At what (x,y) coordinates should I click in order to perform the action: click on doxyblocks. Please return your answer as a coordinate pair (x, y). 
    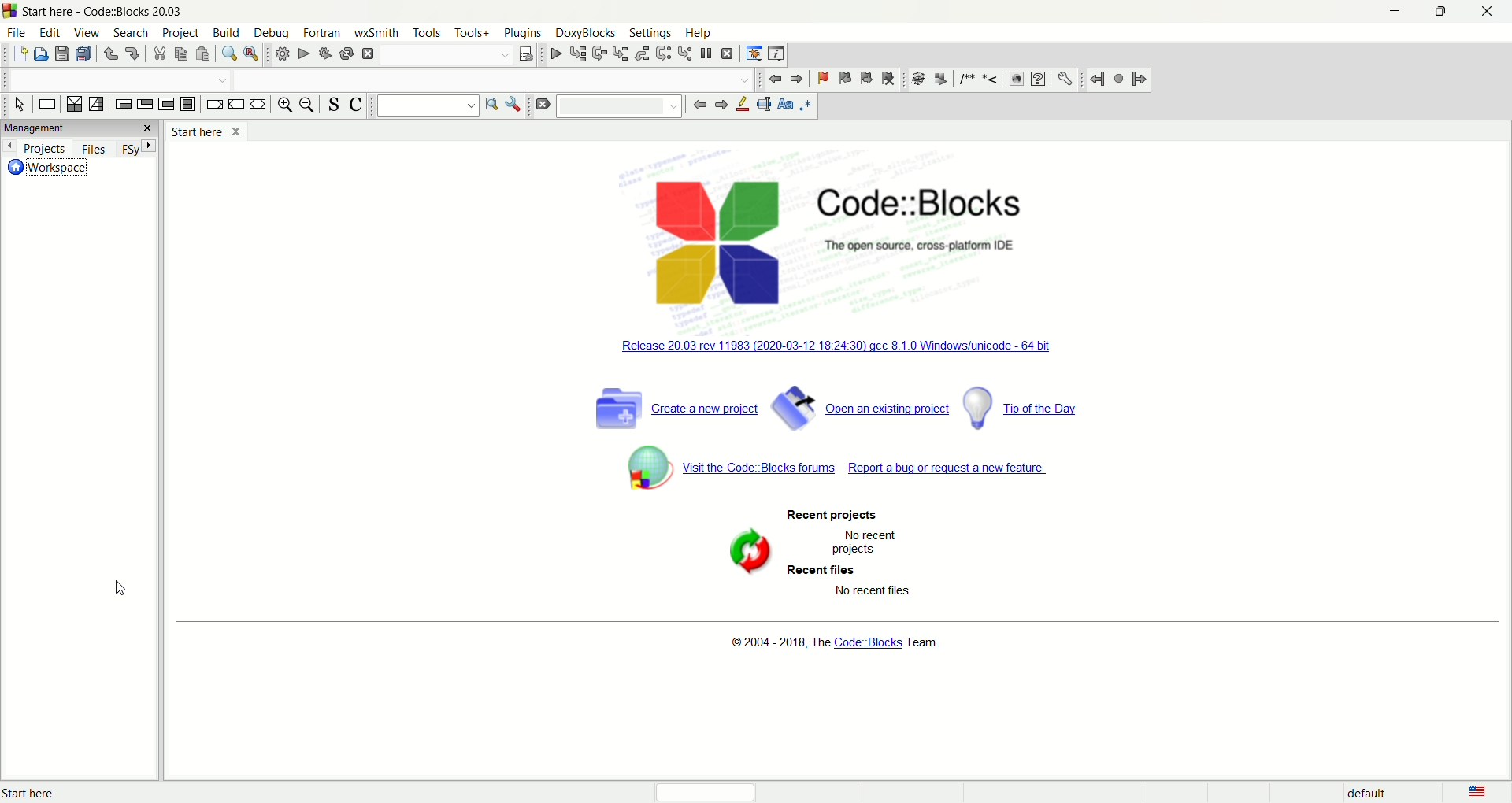
    Looking at the image, I should click on (585, 34).